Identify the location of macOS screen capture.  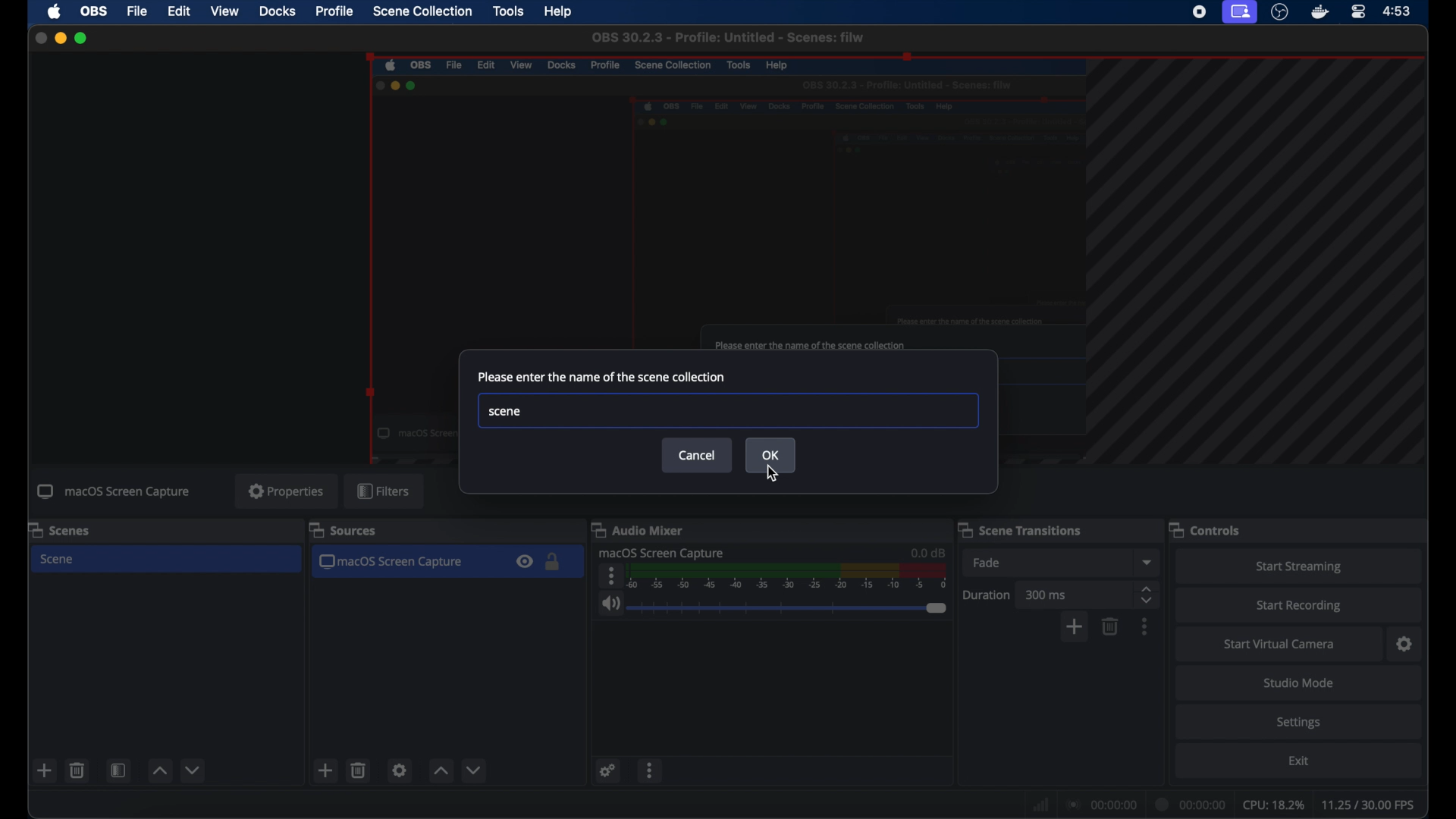
(114, 492).